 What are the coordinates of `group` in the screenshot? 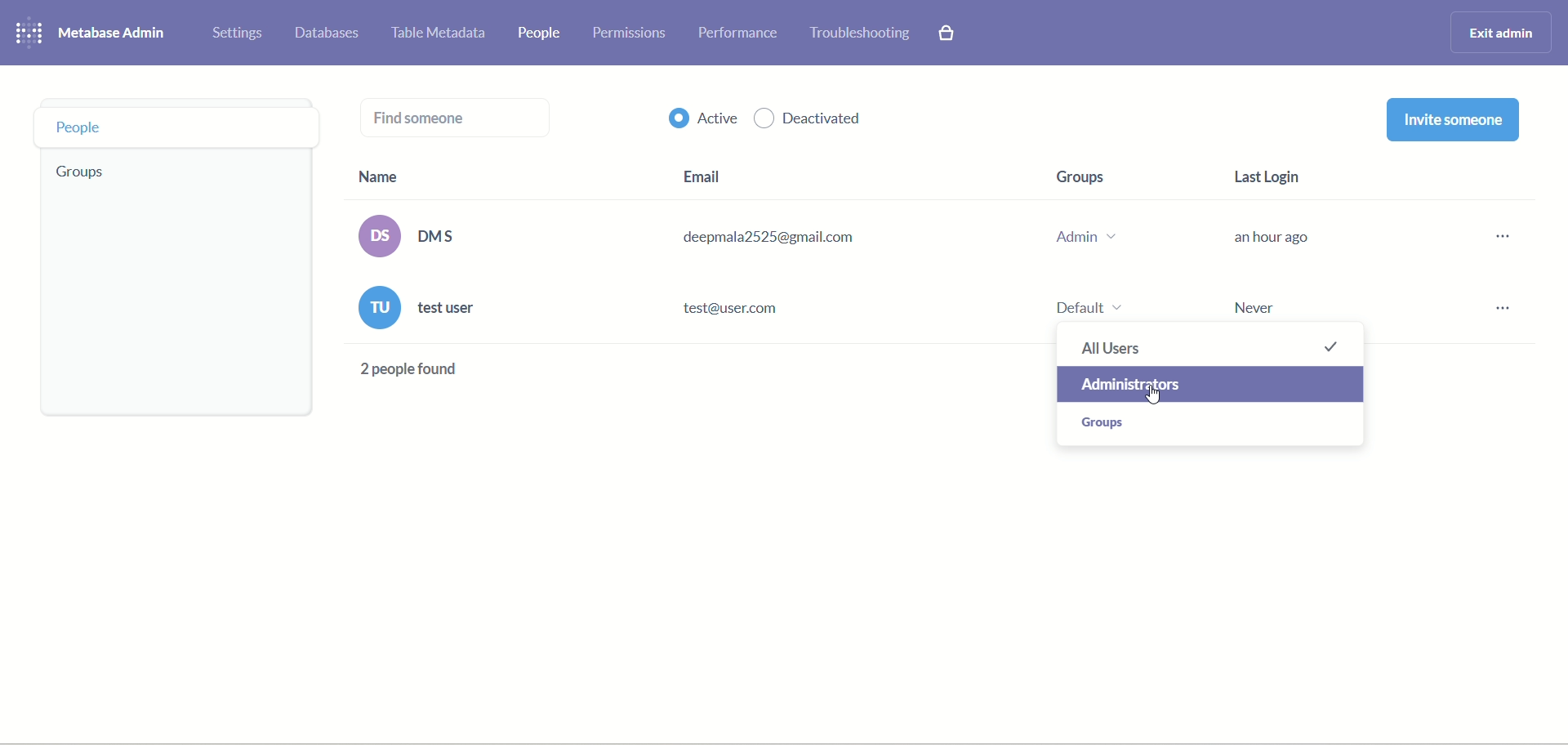 It's located at (1085, 238).